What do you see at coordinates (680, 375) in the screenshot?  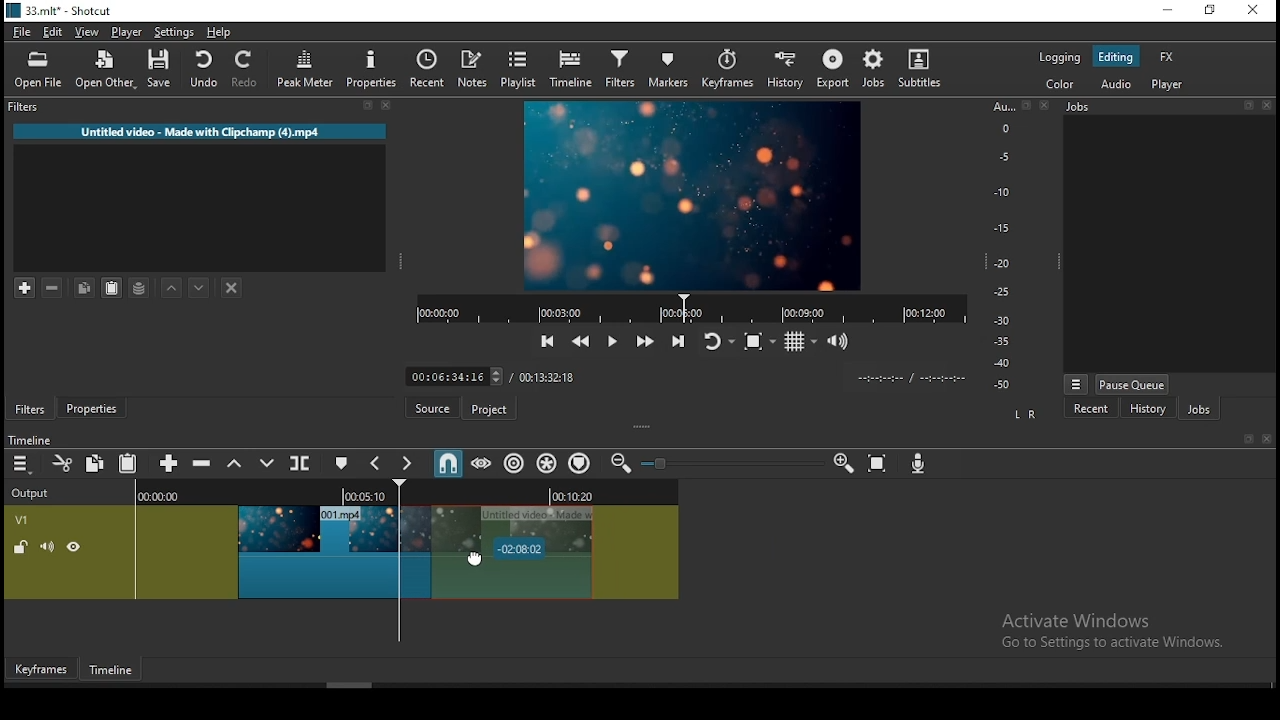 I see `` at bounding box center [680, 375].